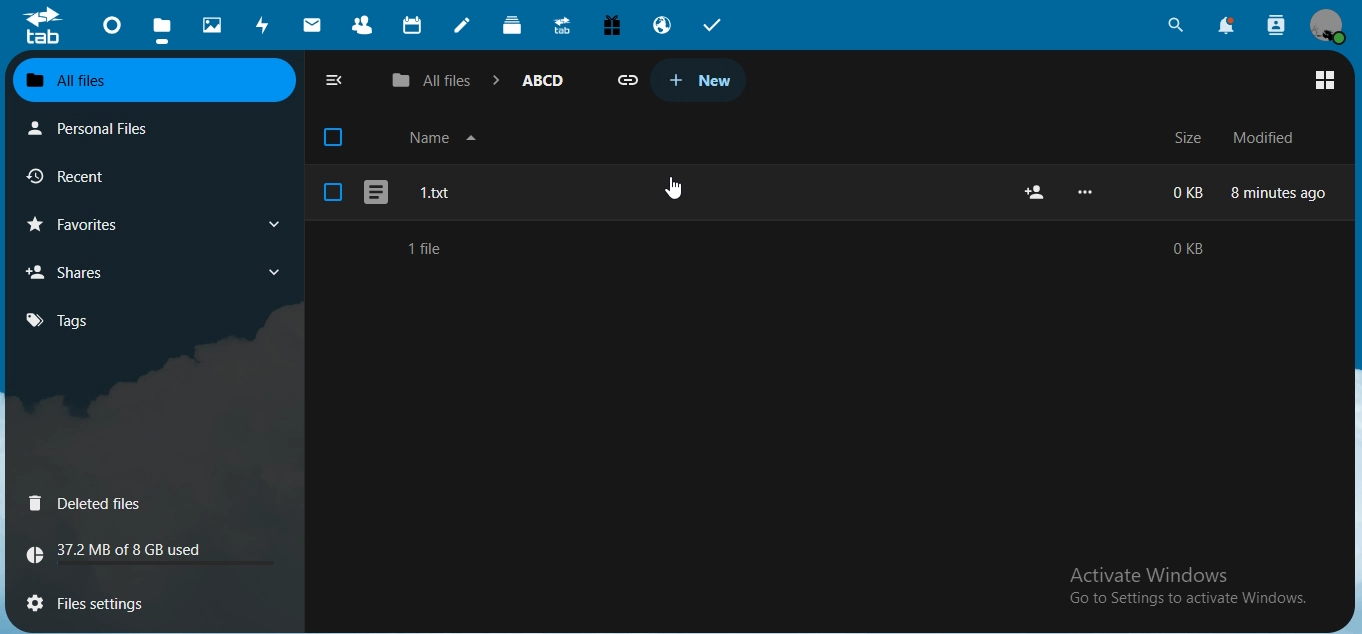  What do you see at coordinates (565, 27) in the screenshot?
I see `upgrade` at bounding box center [565, 27].